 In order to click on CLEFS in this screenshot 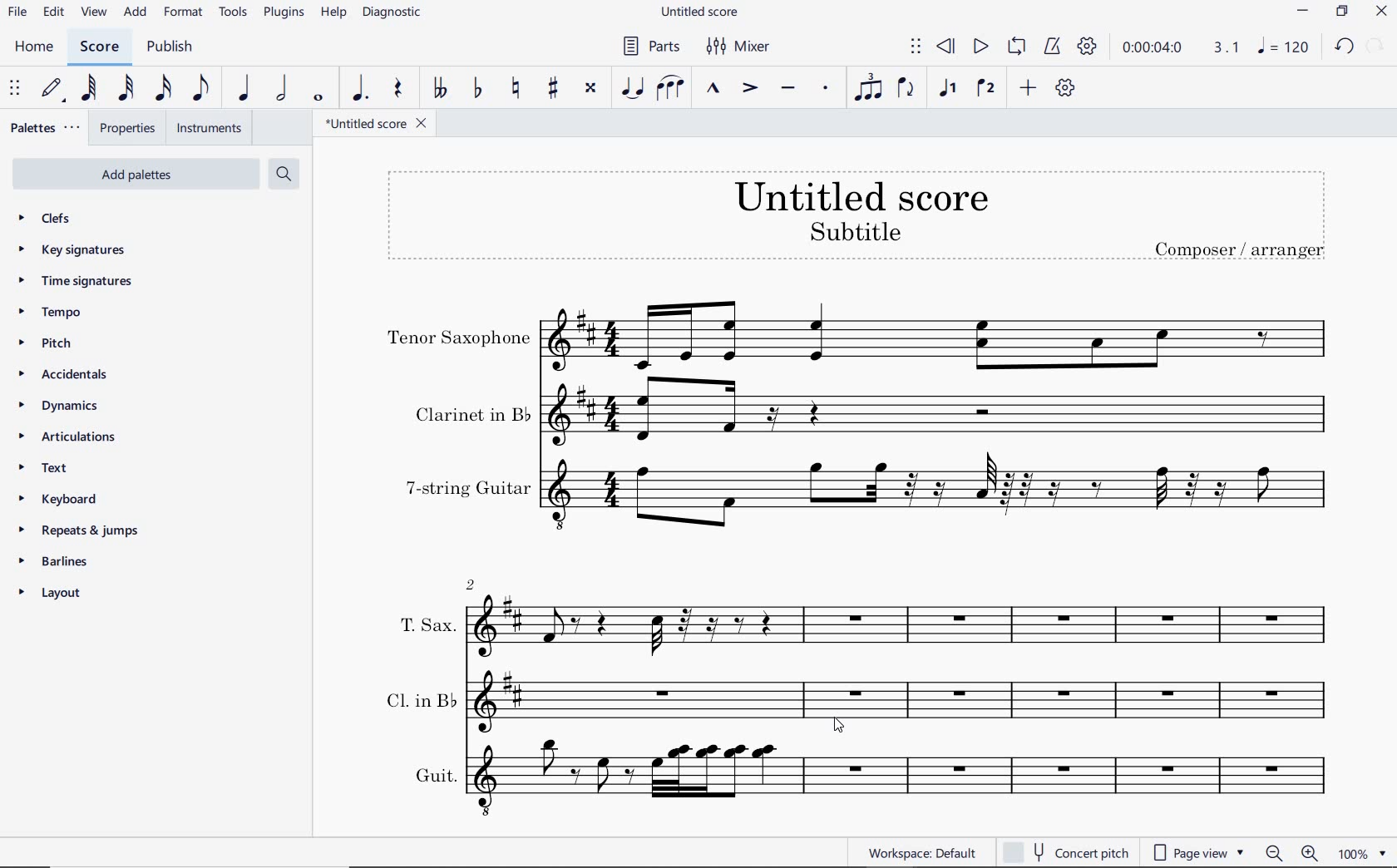, I will do `click(47, 218)`.